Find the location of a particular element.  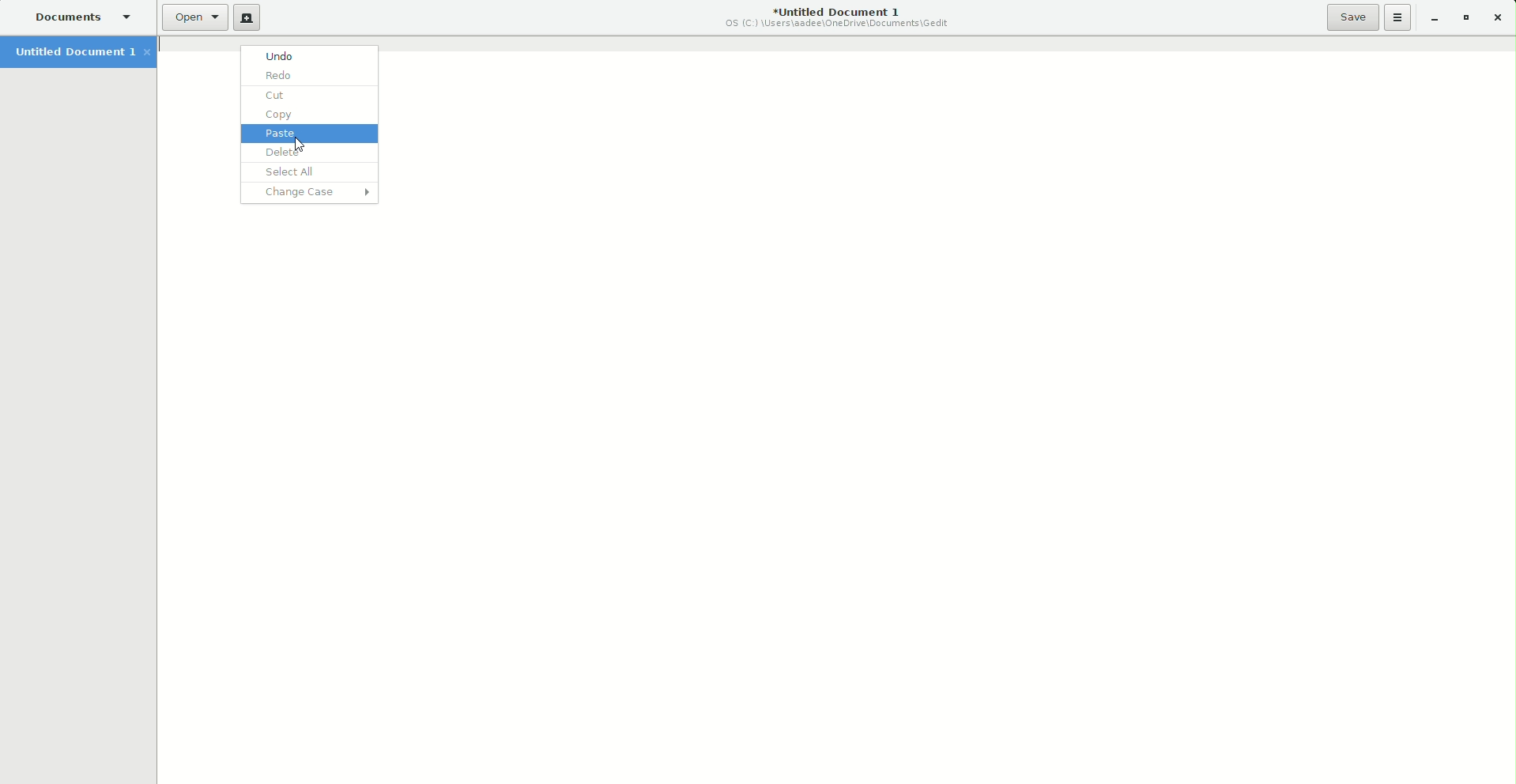

New is located at coordinates (247, 17).